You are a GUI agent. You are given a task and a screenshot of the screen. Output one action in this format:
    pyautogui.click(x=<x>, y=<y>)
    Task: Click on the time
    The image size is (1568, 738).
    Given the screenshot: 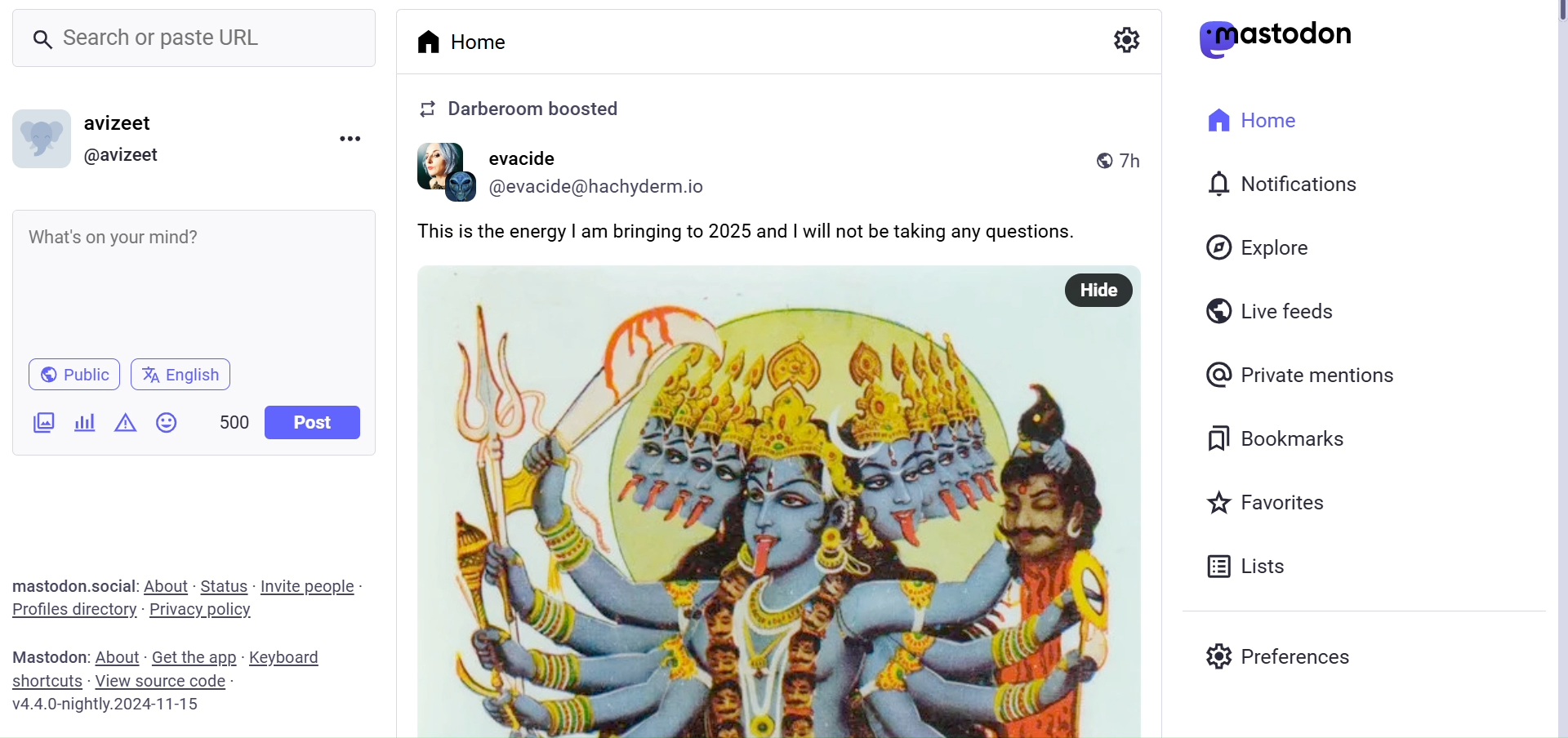 What is the action you would take?
    pyautogui.click(x=1125, y=162)
    